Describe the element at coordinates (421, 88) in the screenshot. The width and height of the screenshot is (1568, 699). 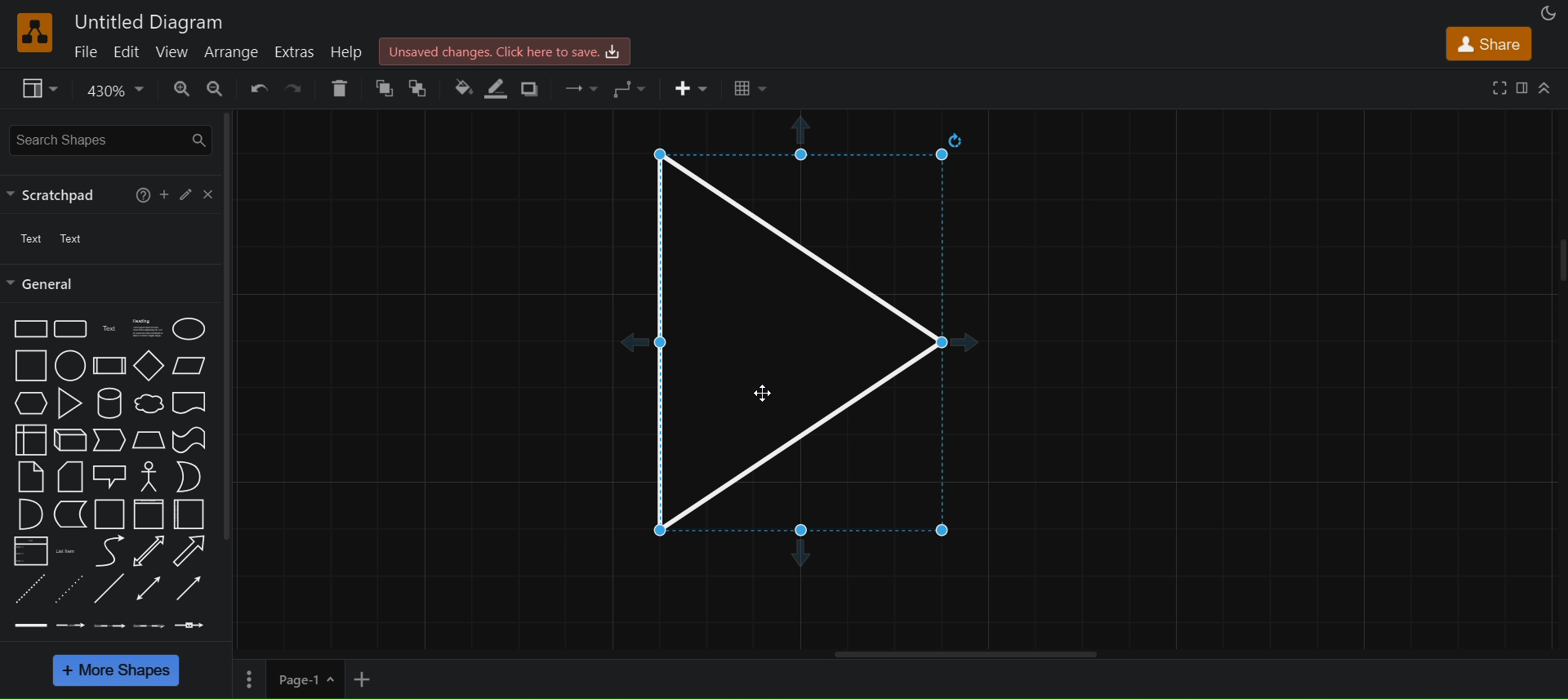
I see `To back` at that location.